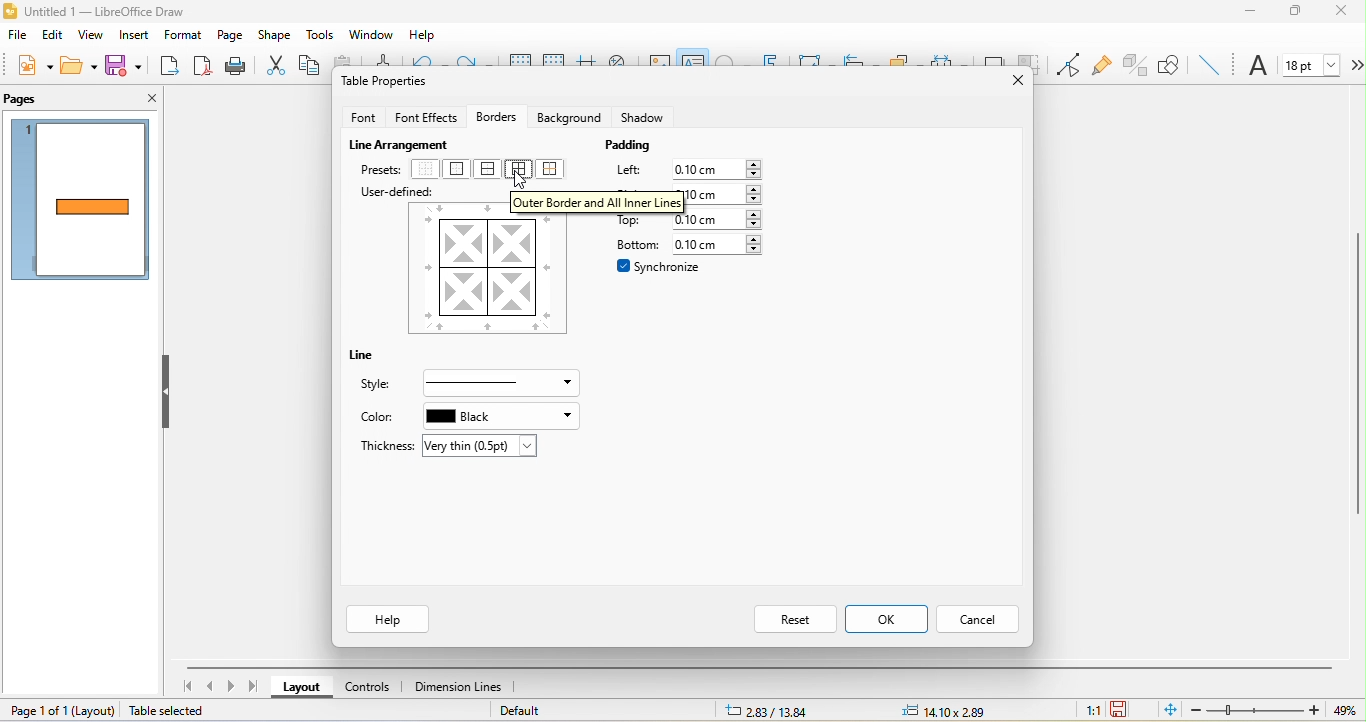 The height and width of the screenshot is (722, 1366). I want to click on black color, so click(499, 416).